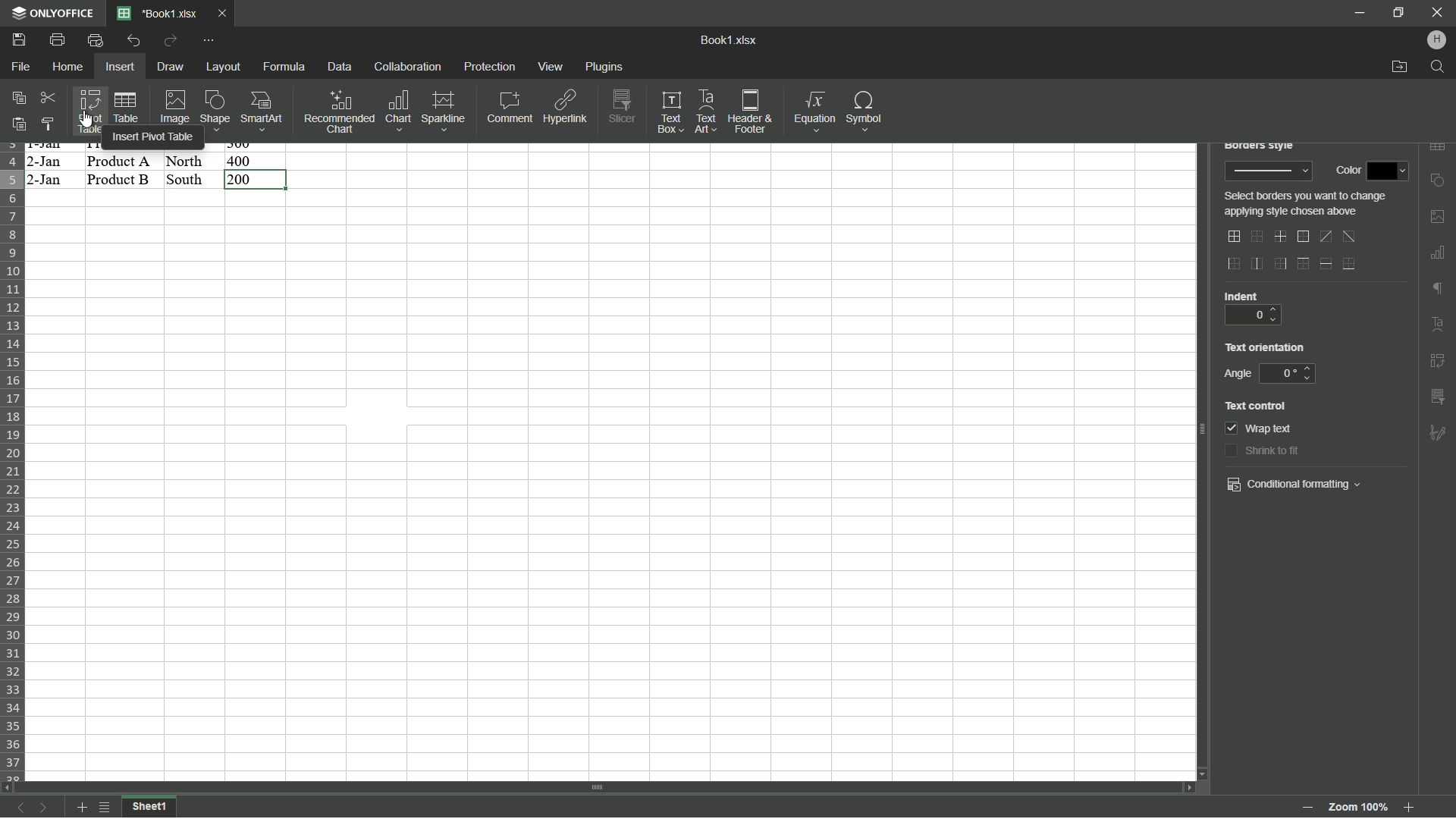 The image size is (1456, 819). What do you see at coordinates (444, 112) in the screenshot?
I see `Sparkline` at bounding box center [444, 112].